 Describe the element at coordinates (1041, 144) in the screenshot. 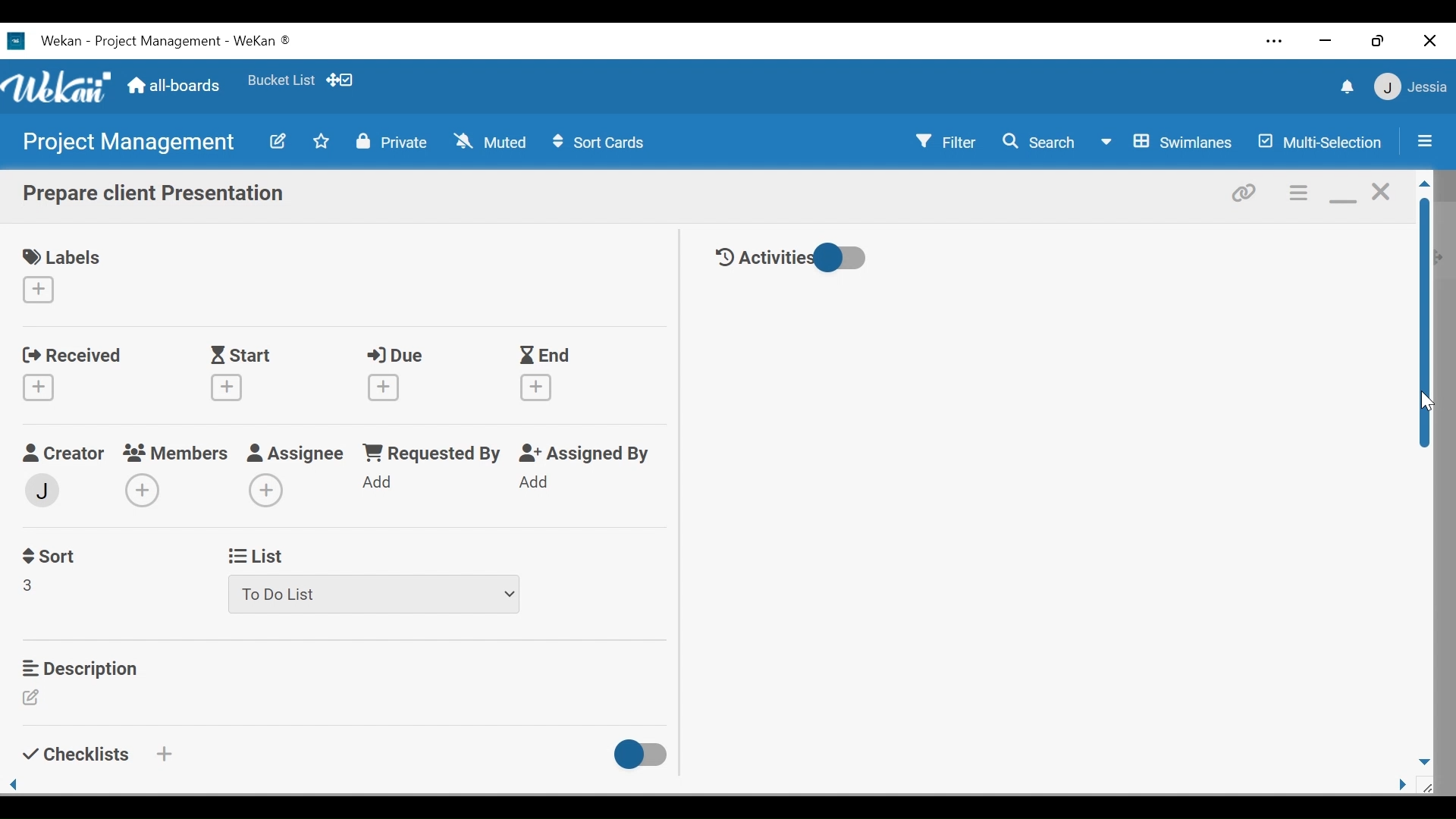

I see `Search` at that location.